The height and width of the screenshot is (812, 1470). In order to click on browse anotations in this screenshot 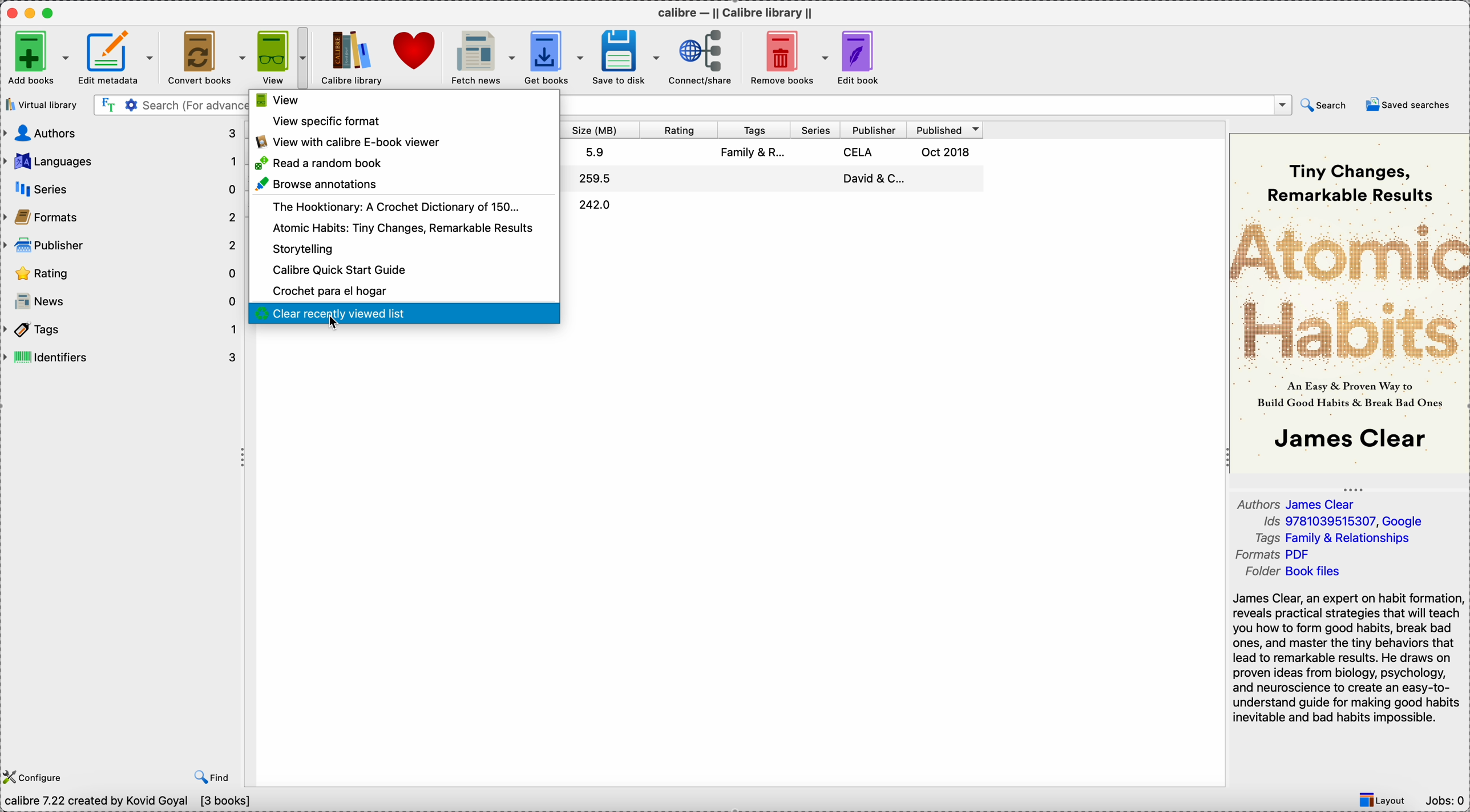, I will do `click(316, 185)`.